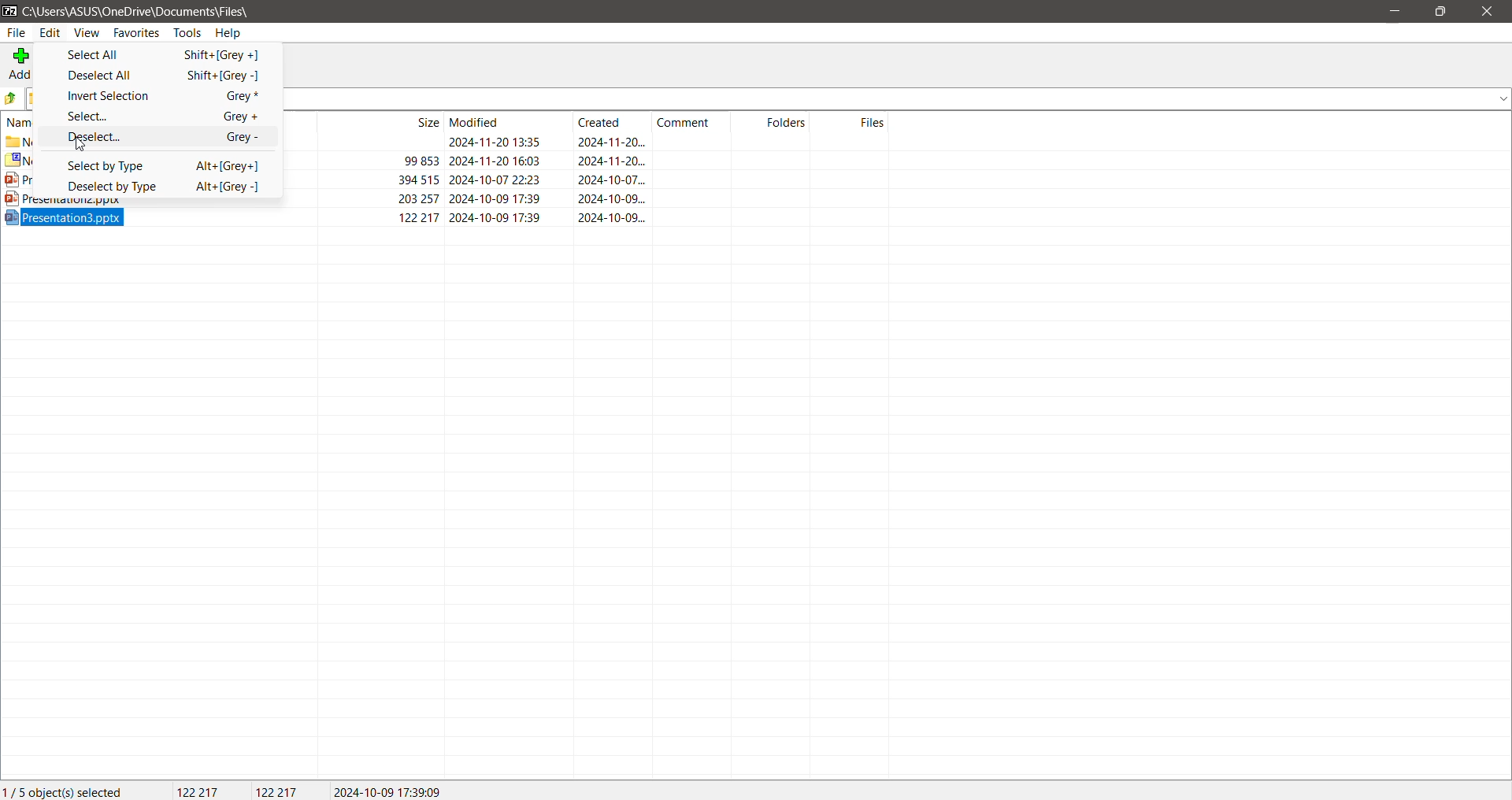 The height and width of the screenshot is (800, 1512). I want to click on Grey +, so click(233, 116).